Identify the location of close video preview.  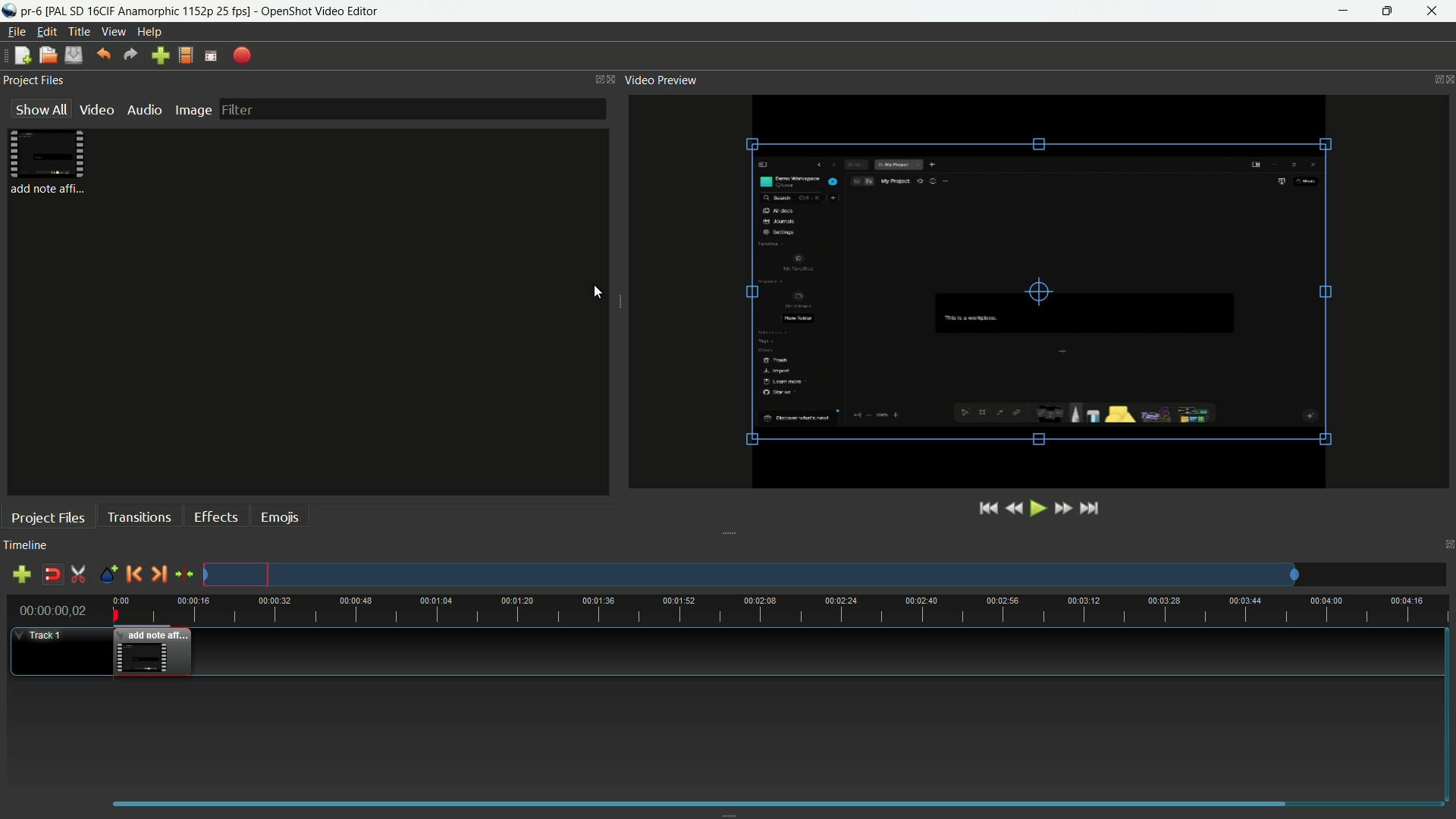
(1447, 78).